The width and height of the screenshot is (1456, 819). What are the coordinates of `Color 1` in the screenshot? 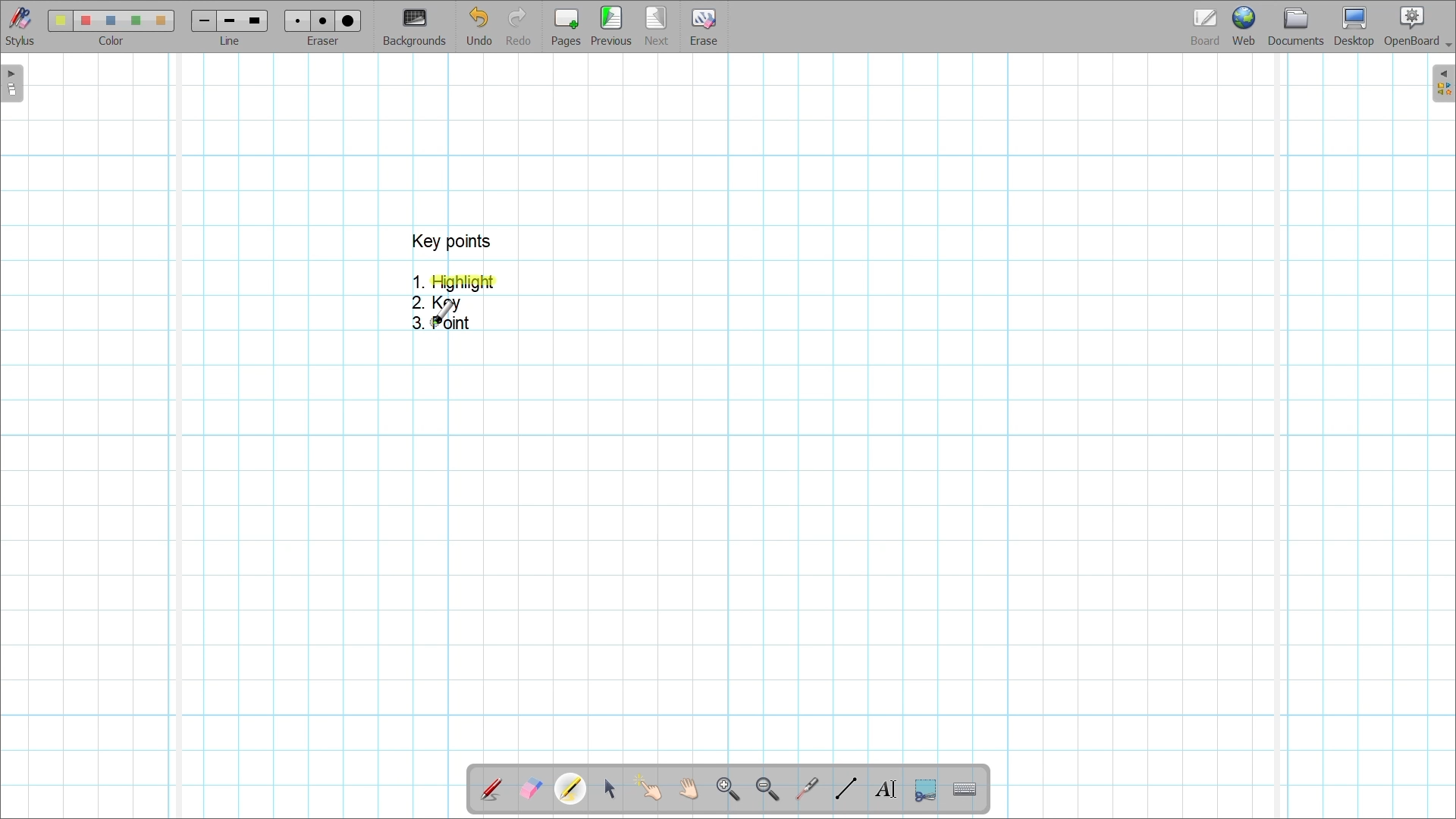 It's located at (60, 20).